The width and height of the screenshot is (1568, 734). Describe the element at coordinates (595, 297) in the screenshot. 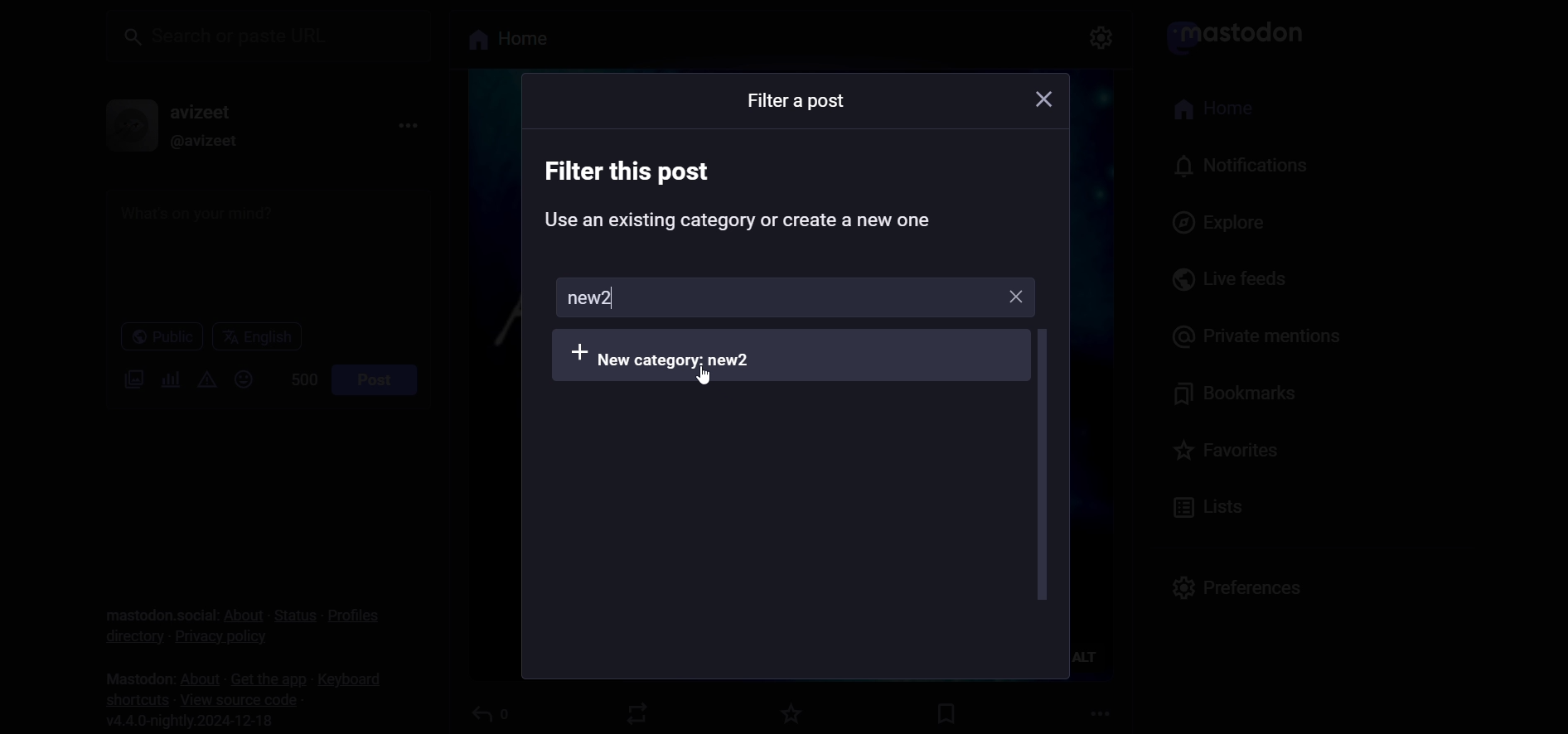

I see `new category name` at that location.